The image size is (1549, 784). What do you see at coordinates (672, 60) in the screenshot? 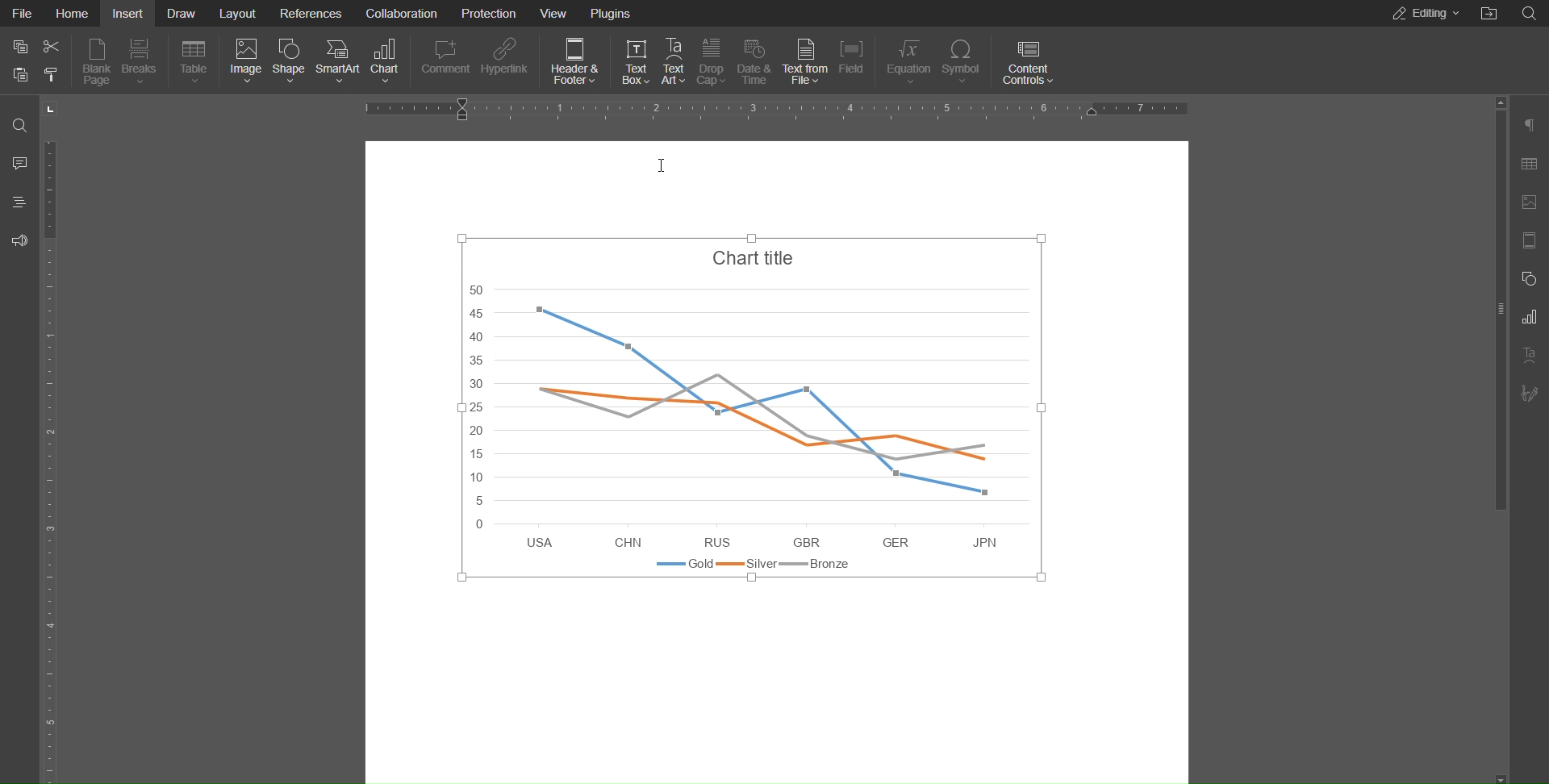
I see `Text Art` at bounding box center [672, 60].